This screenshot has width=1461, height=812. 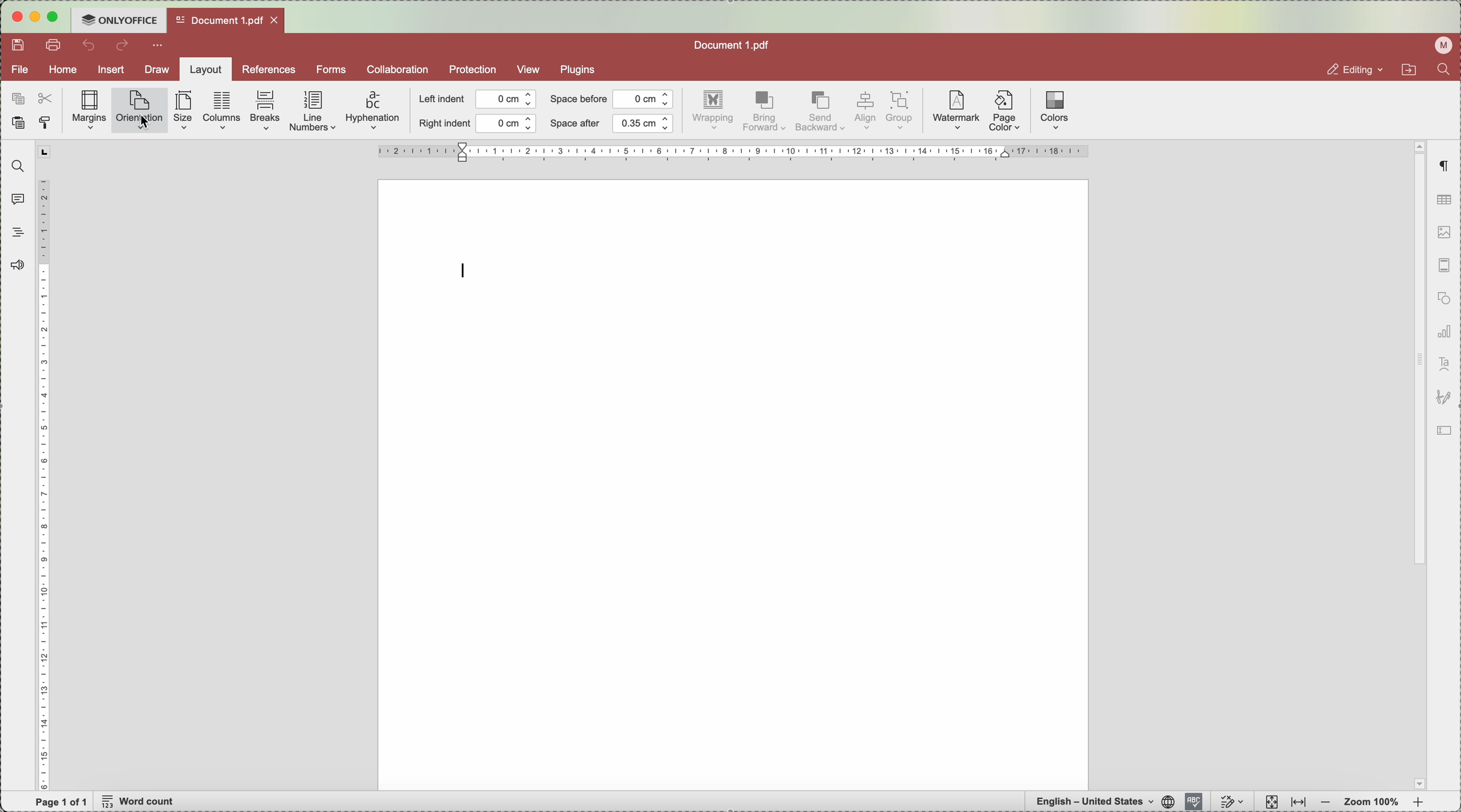 What do you see at coordinates (149, 124) in the screenshot?
I see `cursor` at bounding box center [149, 124].